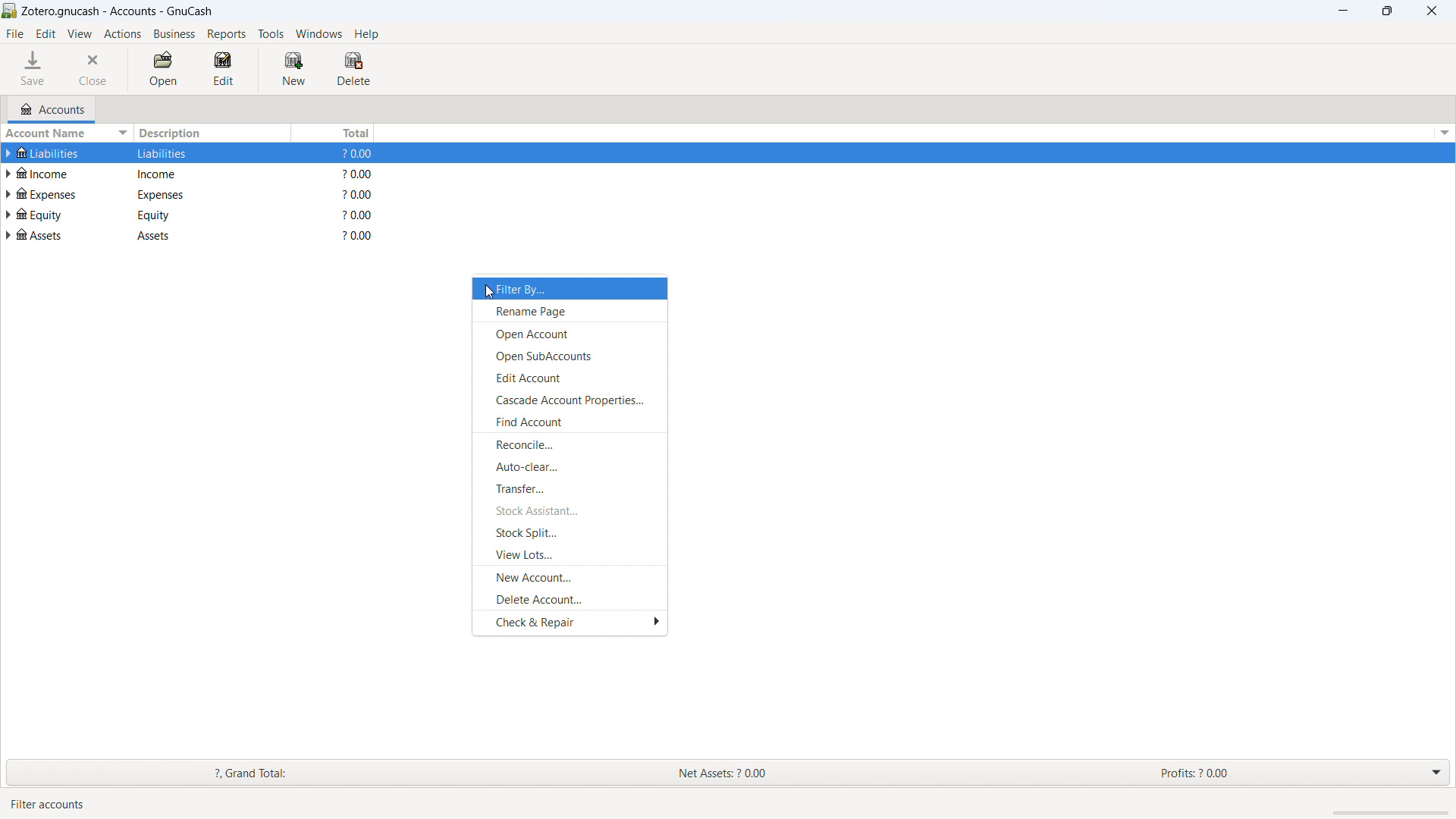  I want to click on grand total, net assets and profits, so click(728, 773).